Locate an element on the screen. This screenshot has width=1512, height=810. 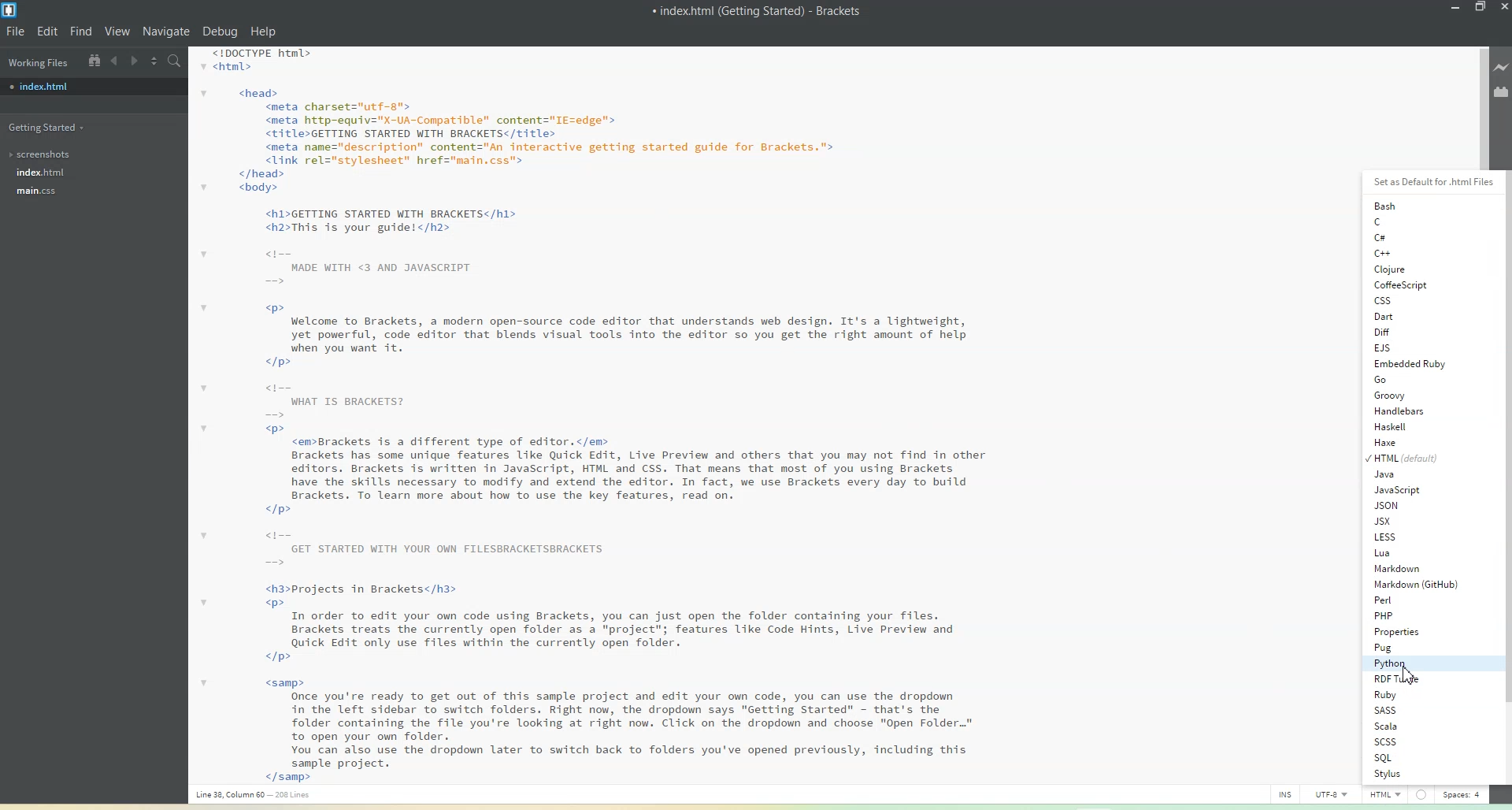
Java is located at coordinates (1410, 474).